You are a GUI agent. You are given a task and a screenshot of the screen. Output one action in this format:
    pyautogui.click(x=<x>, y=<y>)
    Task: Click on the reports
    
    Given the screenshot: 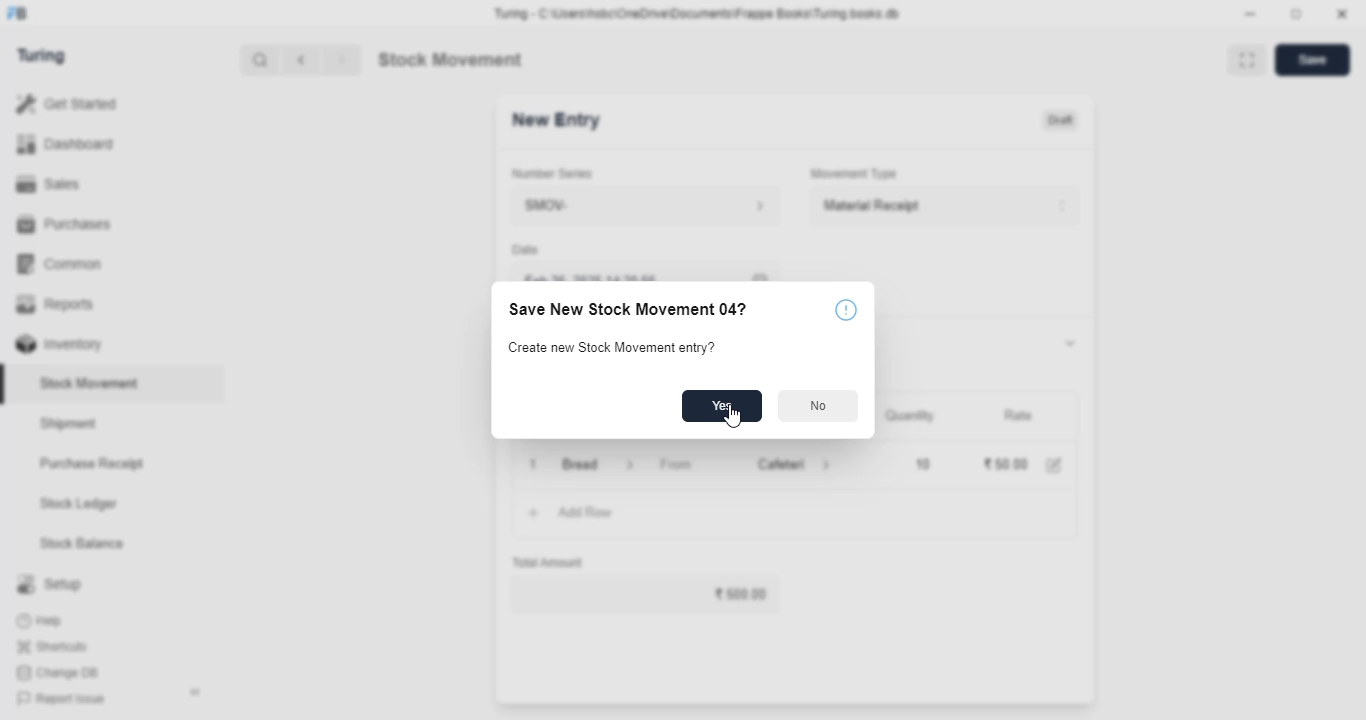 What is the action you would take?
    pyautogui.click(x=57, y=303)
    